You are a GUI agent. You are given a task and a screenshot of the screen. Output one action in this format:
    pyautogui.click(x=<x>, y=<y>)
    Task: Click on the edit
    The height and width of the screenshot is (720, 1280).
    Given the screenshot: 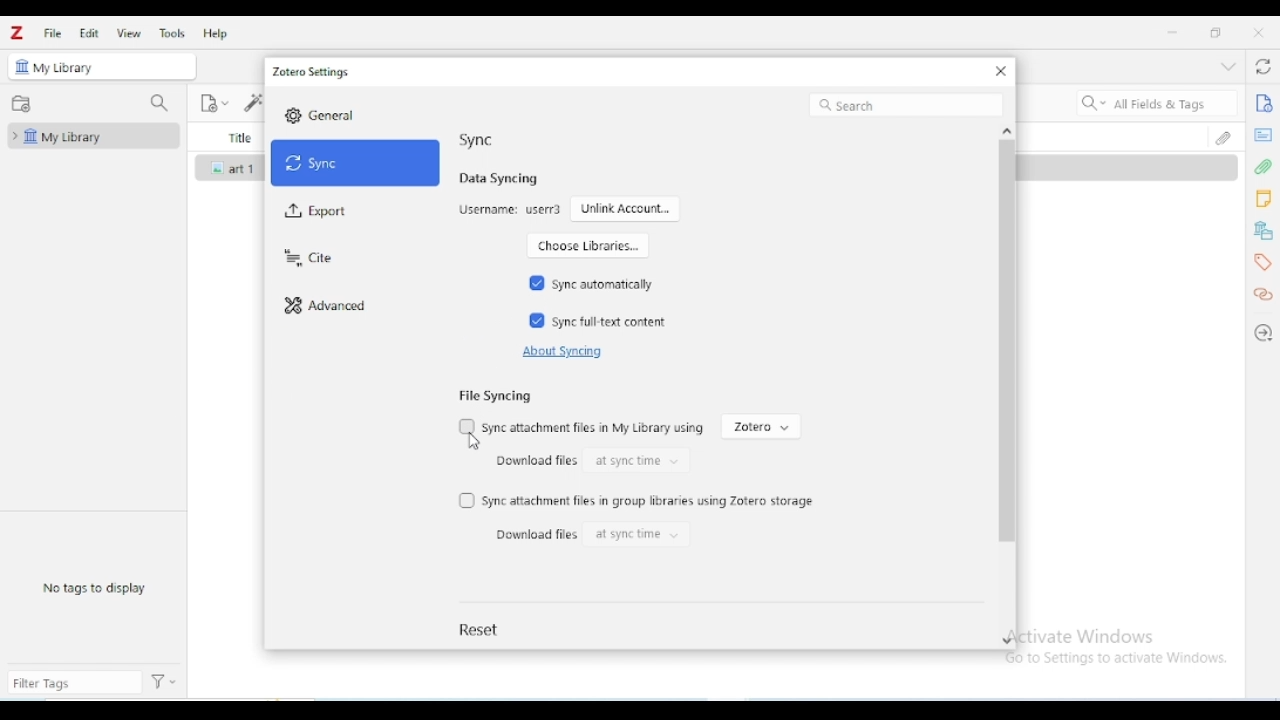 What is the action you would take?
    pyautogui.click(x=89, y=33)
    